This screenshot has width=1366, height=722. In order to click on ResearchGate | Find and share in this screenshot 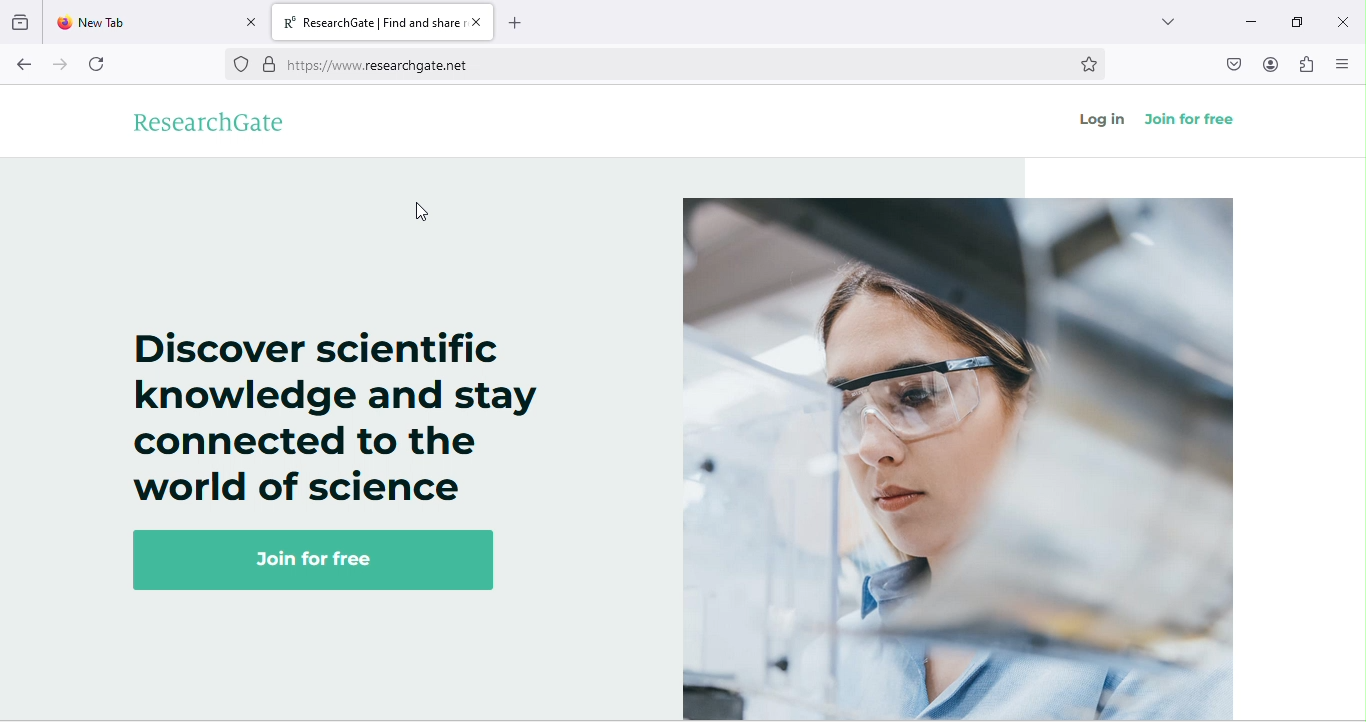, I will do `click(371, 21)`.